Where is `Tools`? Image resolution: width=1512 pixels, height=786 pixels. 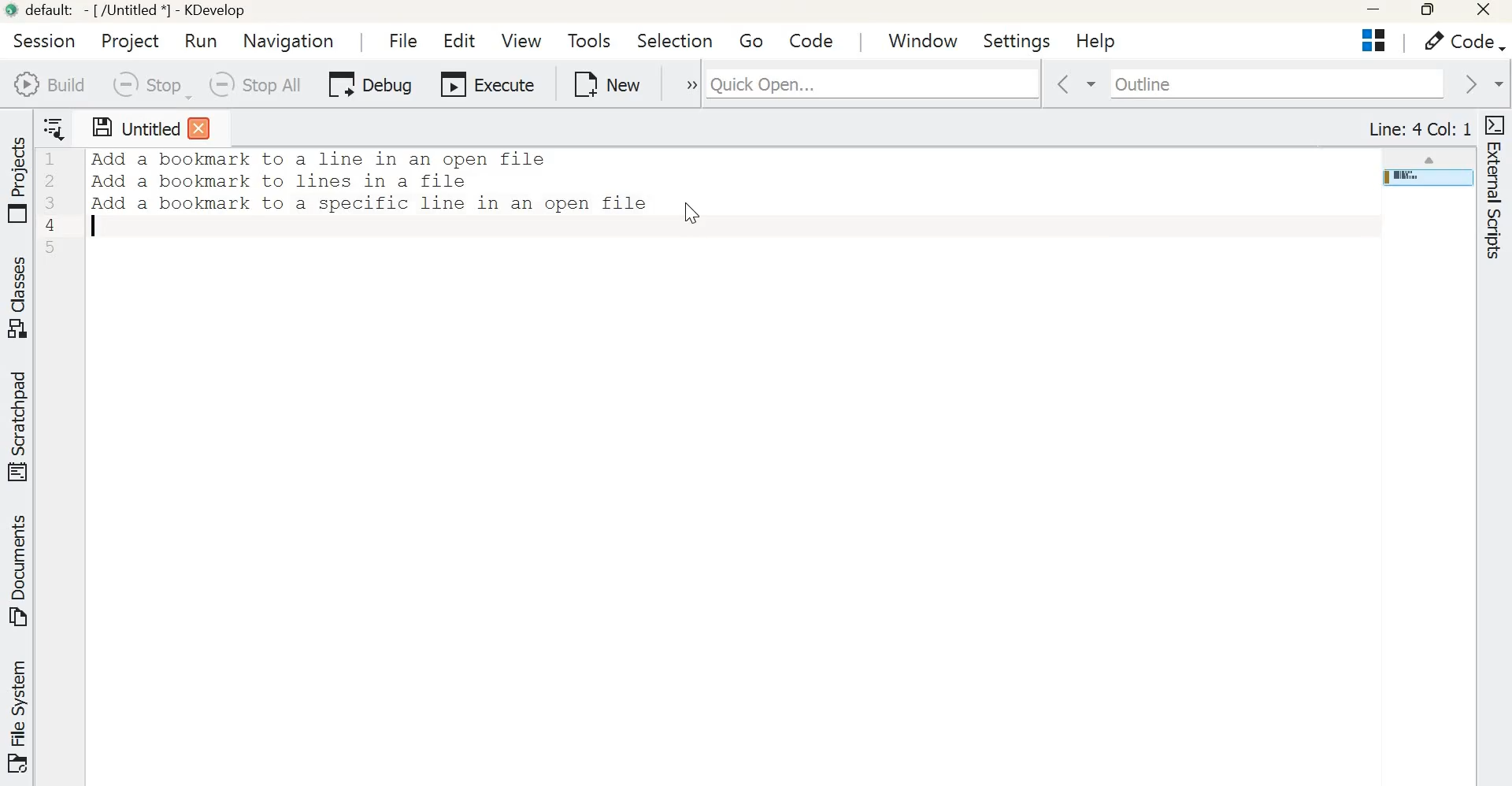 Tools is located at coordinates (587, 40).